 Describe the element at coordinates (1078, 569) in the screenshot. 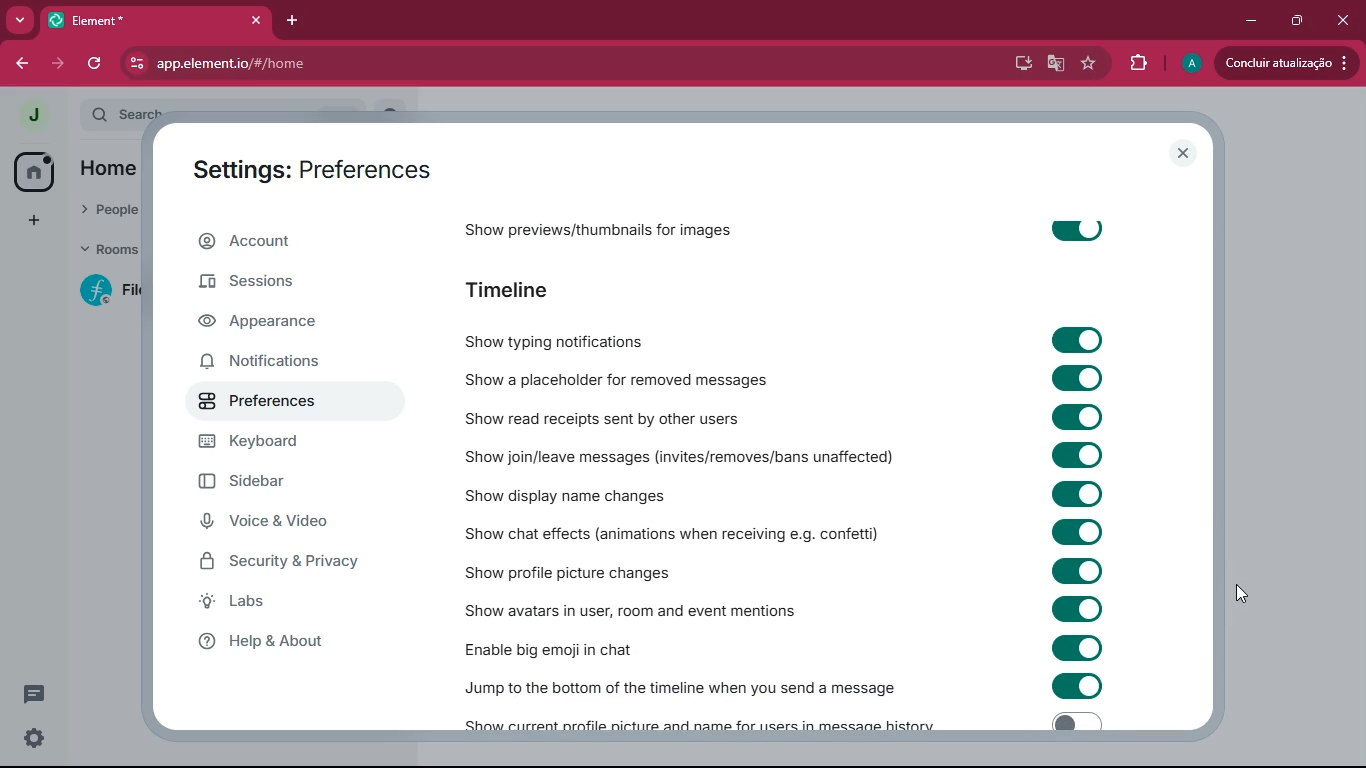

I see `toggle on ` at that location.